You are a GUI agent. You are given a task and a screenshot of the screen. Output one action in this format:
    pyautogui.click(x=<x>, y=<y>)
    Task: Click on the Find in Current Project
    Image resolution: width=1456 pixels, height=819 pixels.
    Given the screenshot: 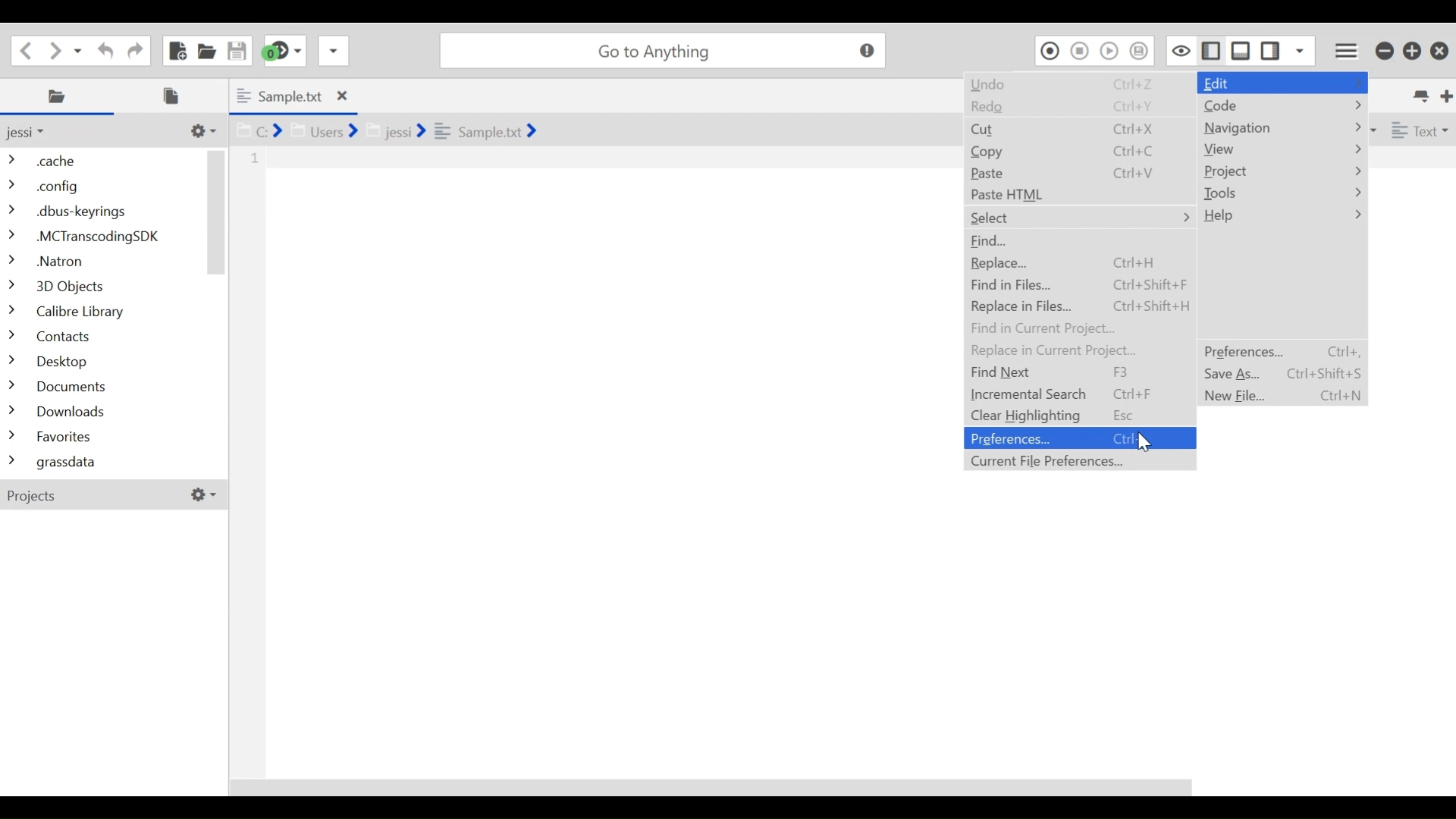 What is the action you would take?
    pyautogui.click(x=1076, y=328)
    